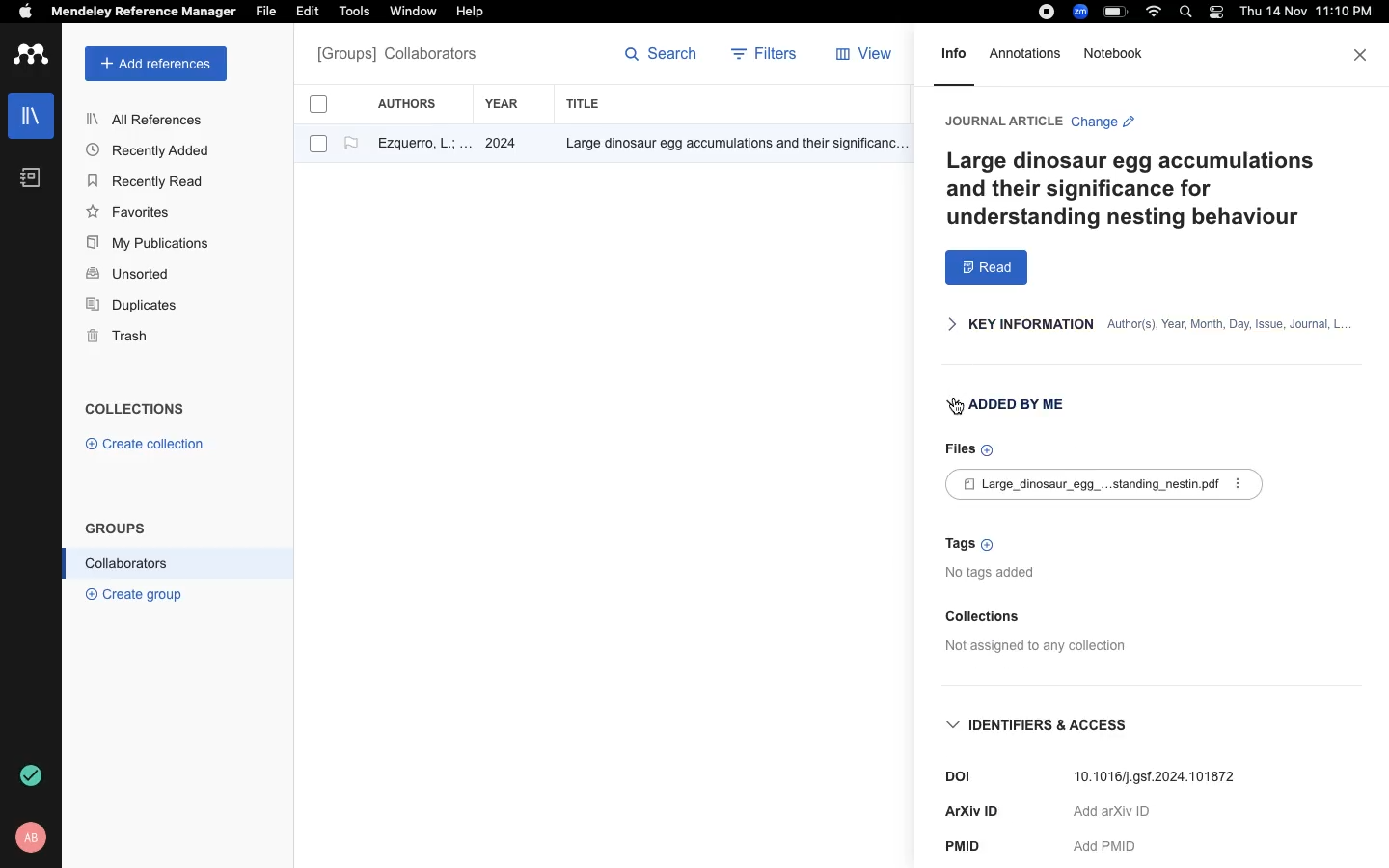 This screenshot has height=868, width=1389. What do you see at coordinates (265, 10) in the screenshot?
I see `File` at bounding box center [265, 10].